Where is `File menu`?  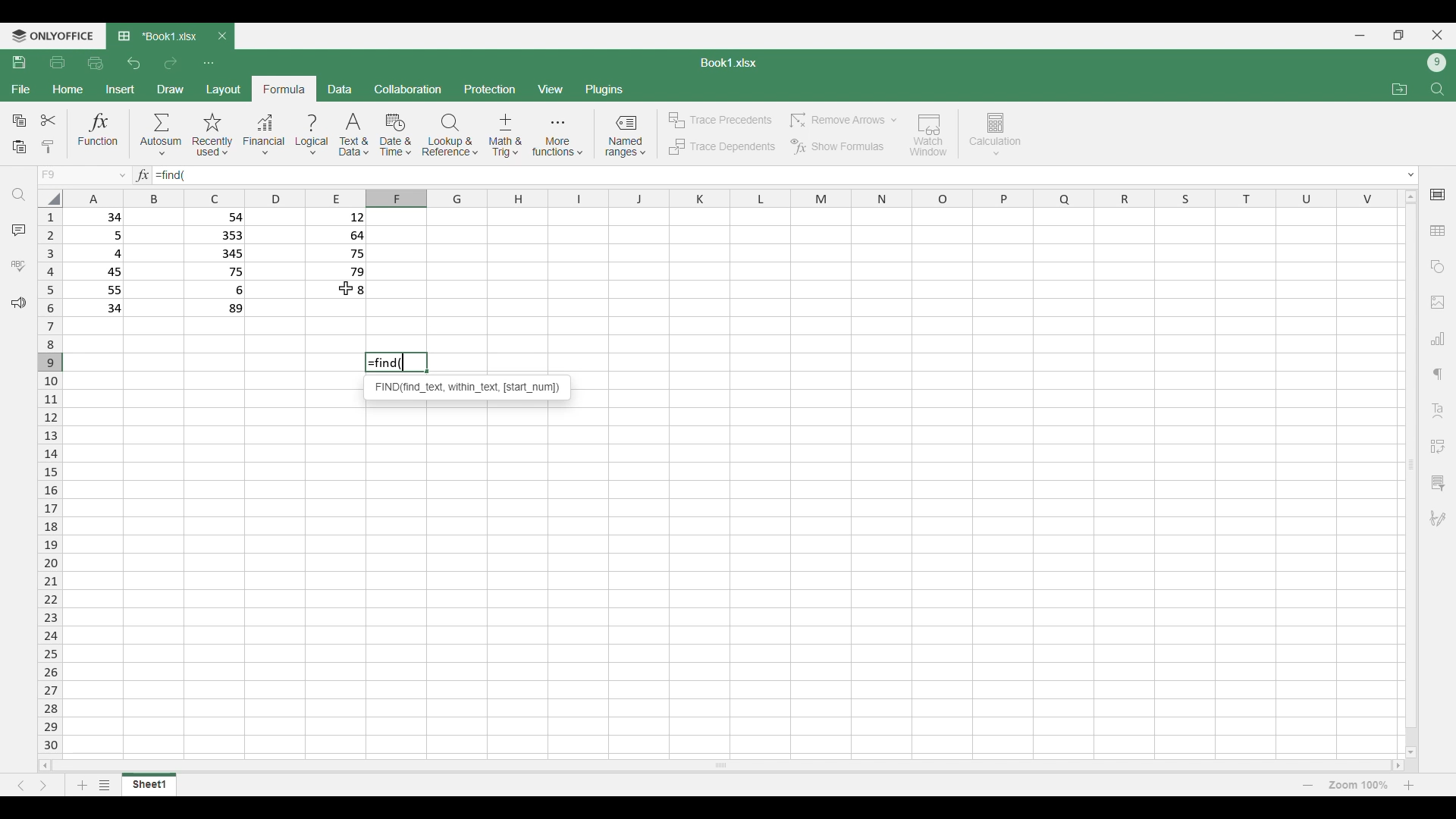
File menu is located at coordinates (21, 89).